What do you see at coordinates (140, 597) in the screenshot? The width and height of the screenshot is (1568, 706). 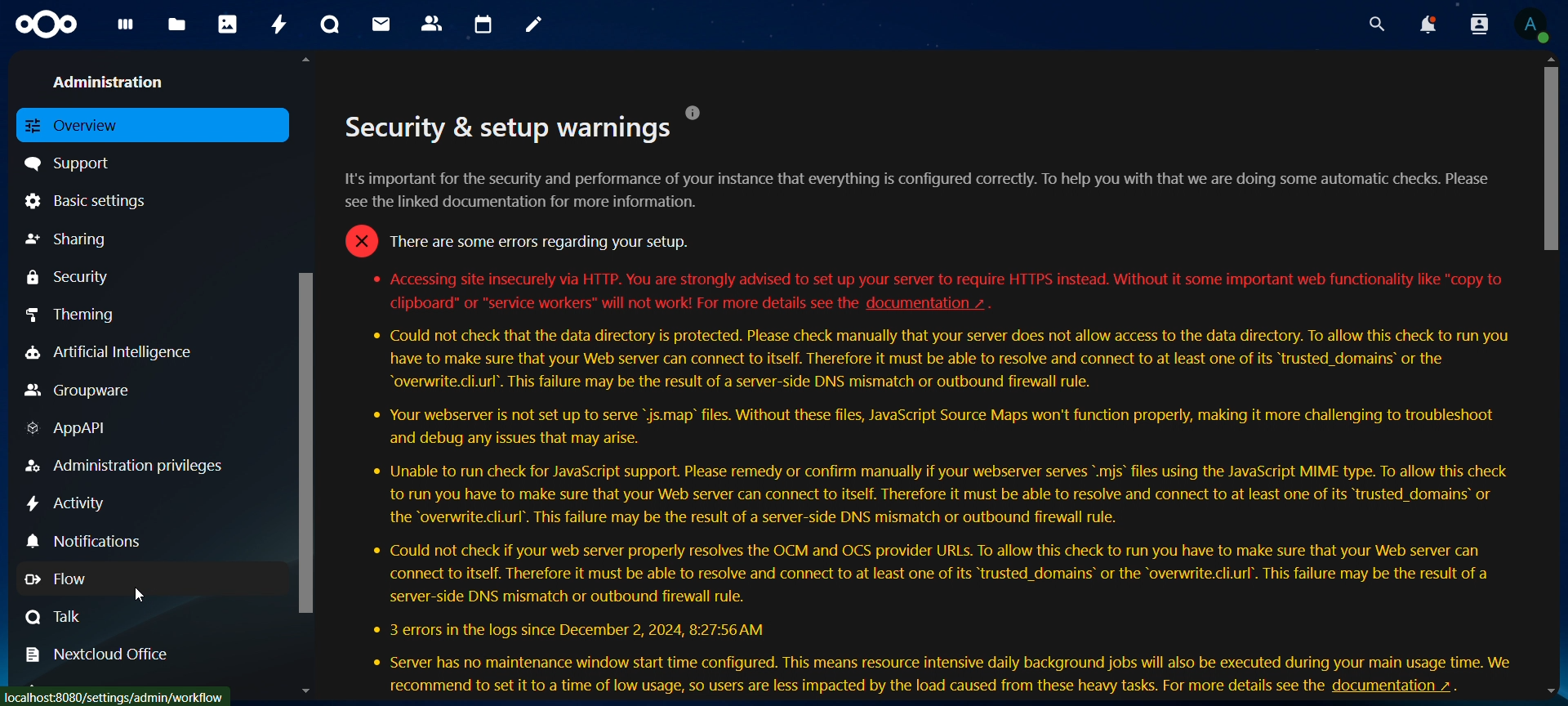 I see `cursor` at bounding box center [140, 597].